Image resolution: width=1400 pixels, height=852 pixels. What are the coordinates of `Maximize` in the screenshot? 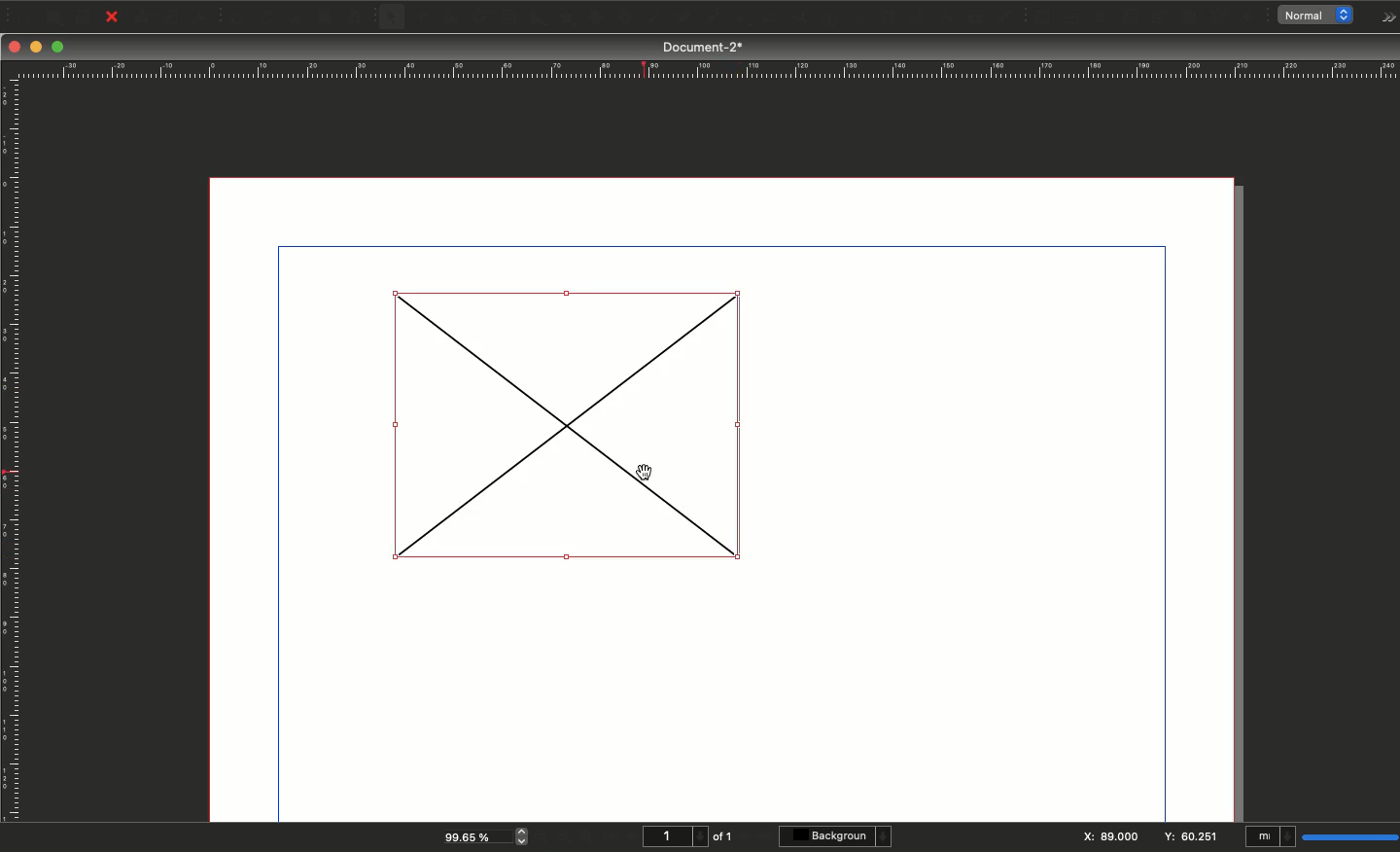 It's located at (59, 49).